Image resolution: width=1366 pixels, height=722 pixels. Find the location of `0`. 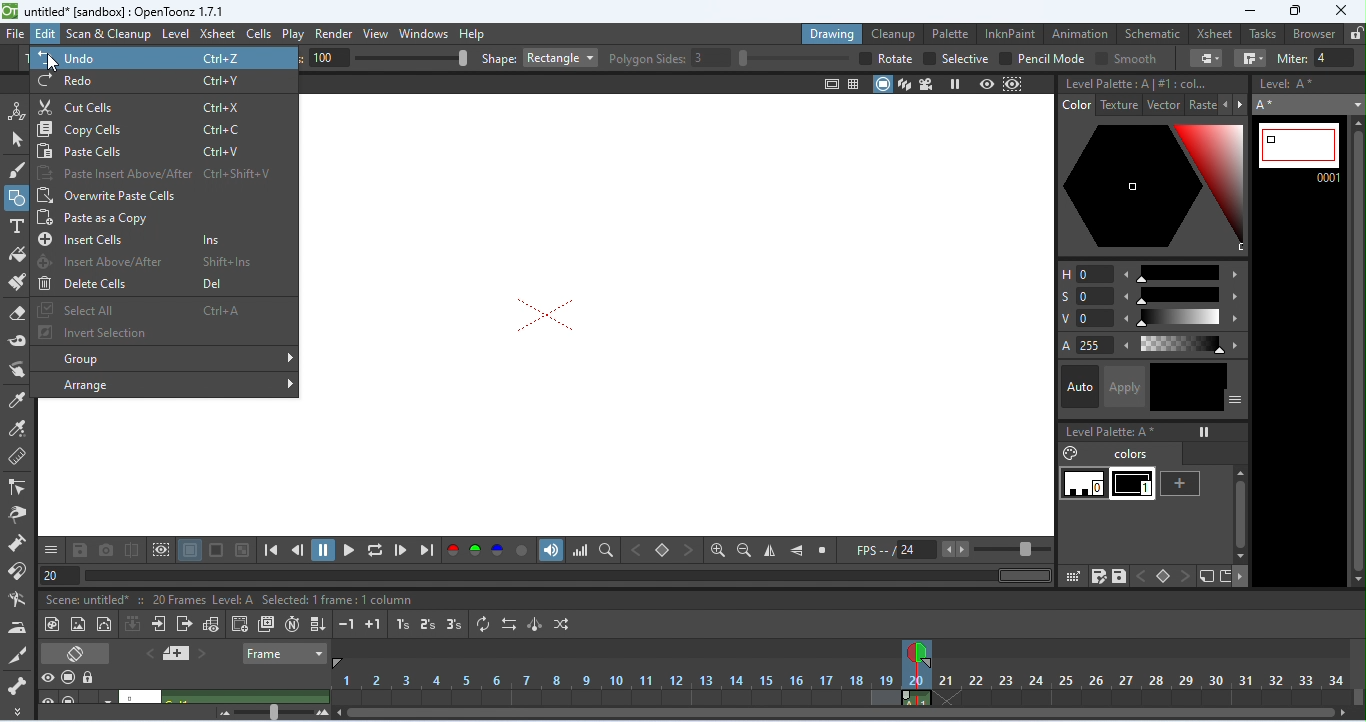

0 is located at coordinates (1081, 483).